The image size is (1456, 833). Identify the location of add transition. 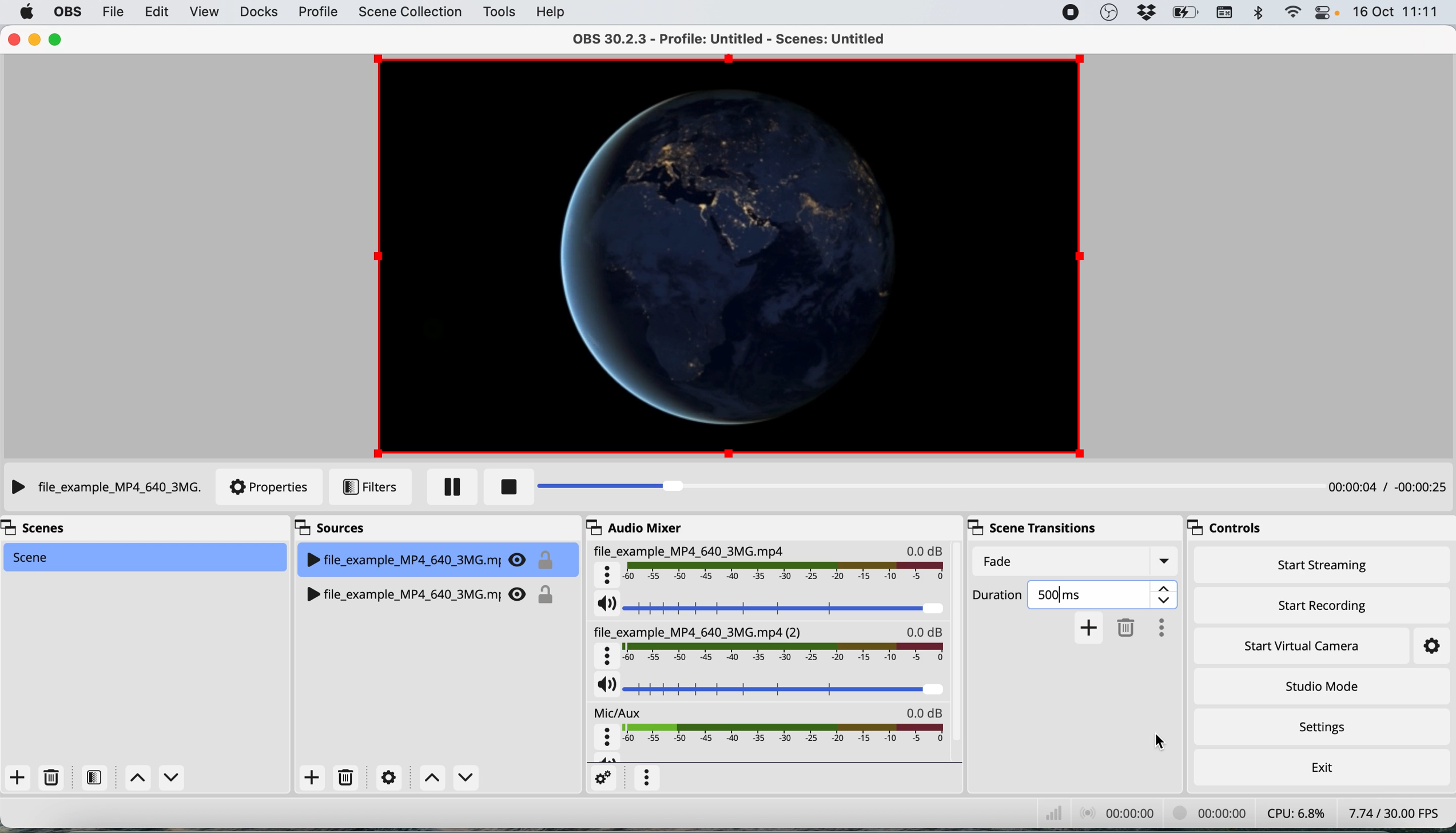
(1089, 628).